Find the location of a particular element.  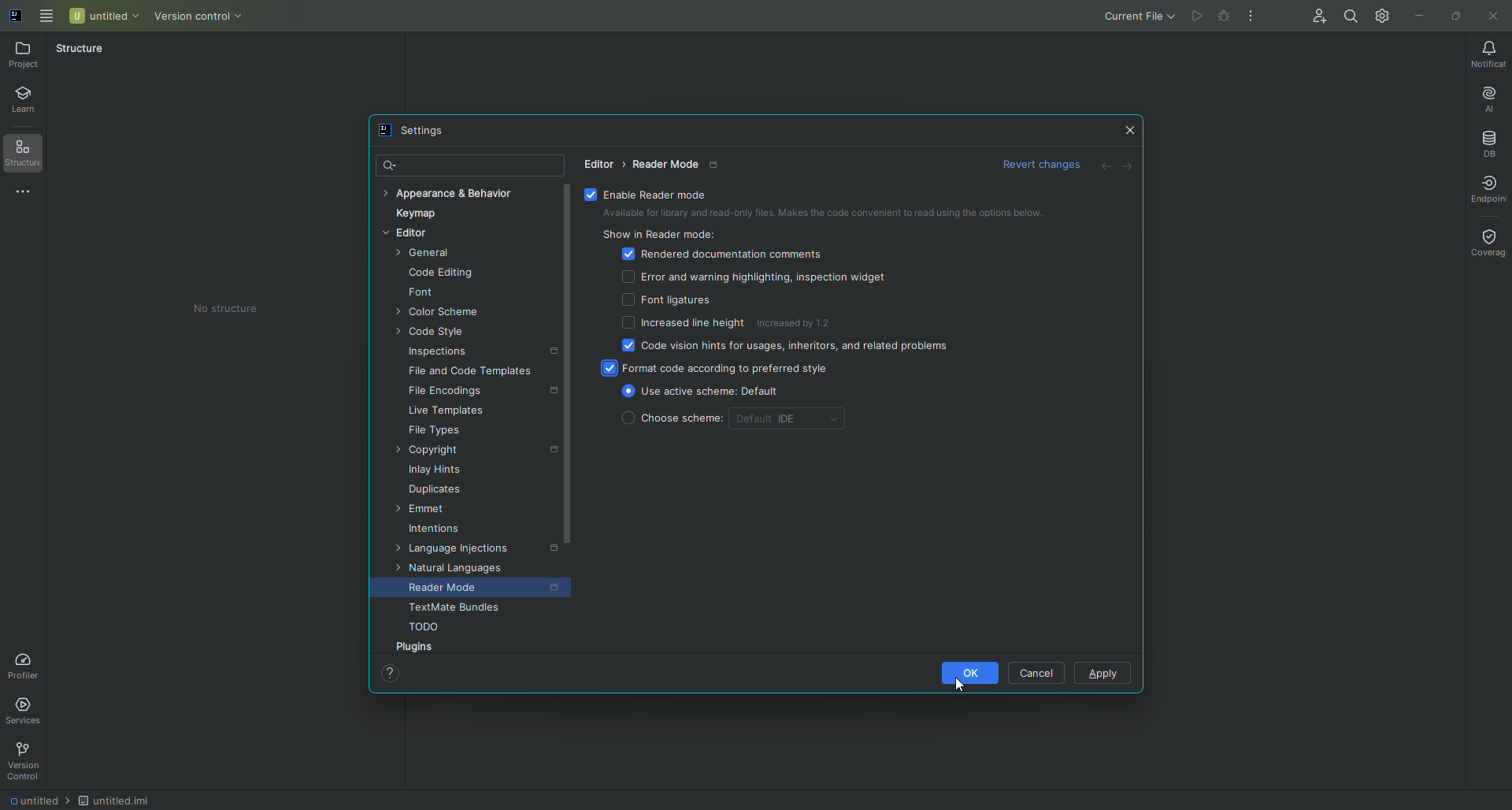

Inspections is located at coordinates (475, 354).